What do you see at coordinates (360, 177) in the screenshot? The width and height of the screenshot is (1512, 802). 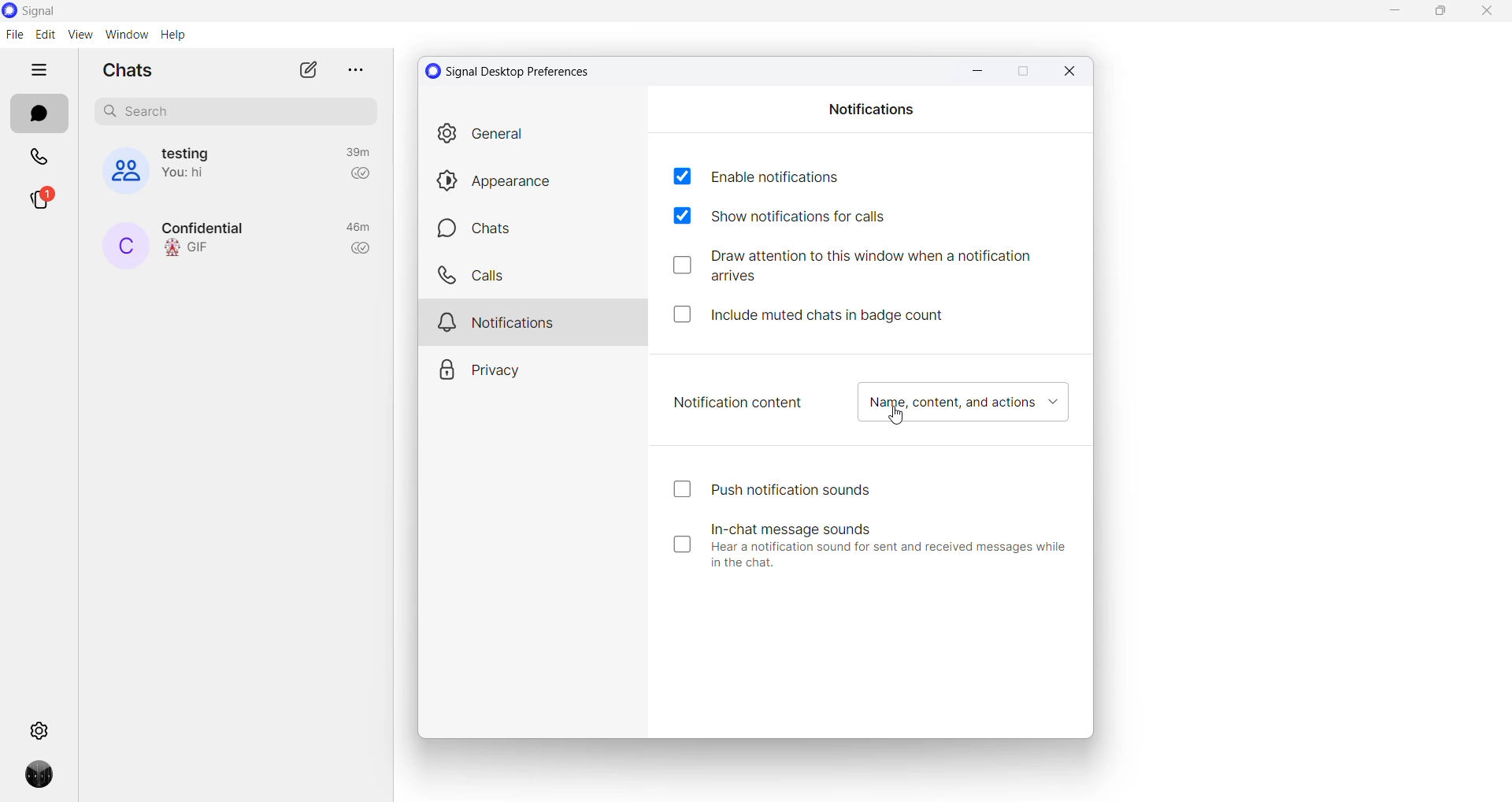 I see `read recipient` at bounding box center [360, 177].